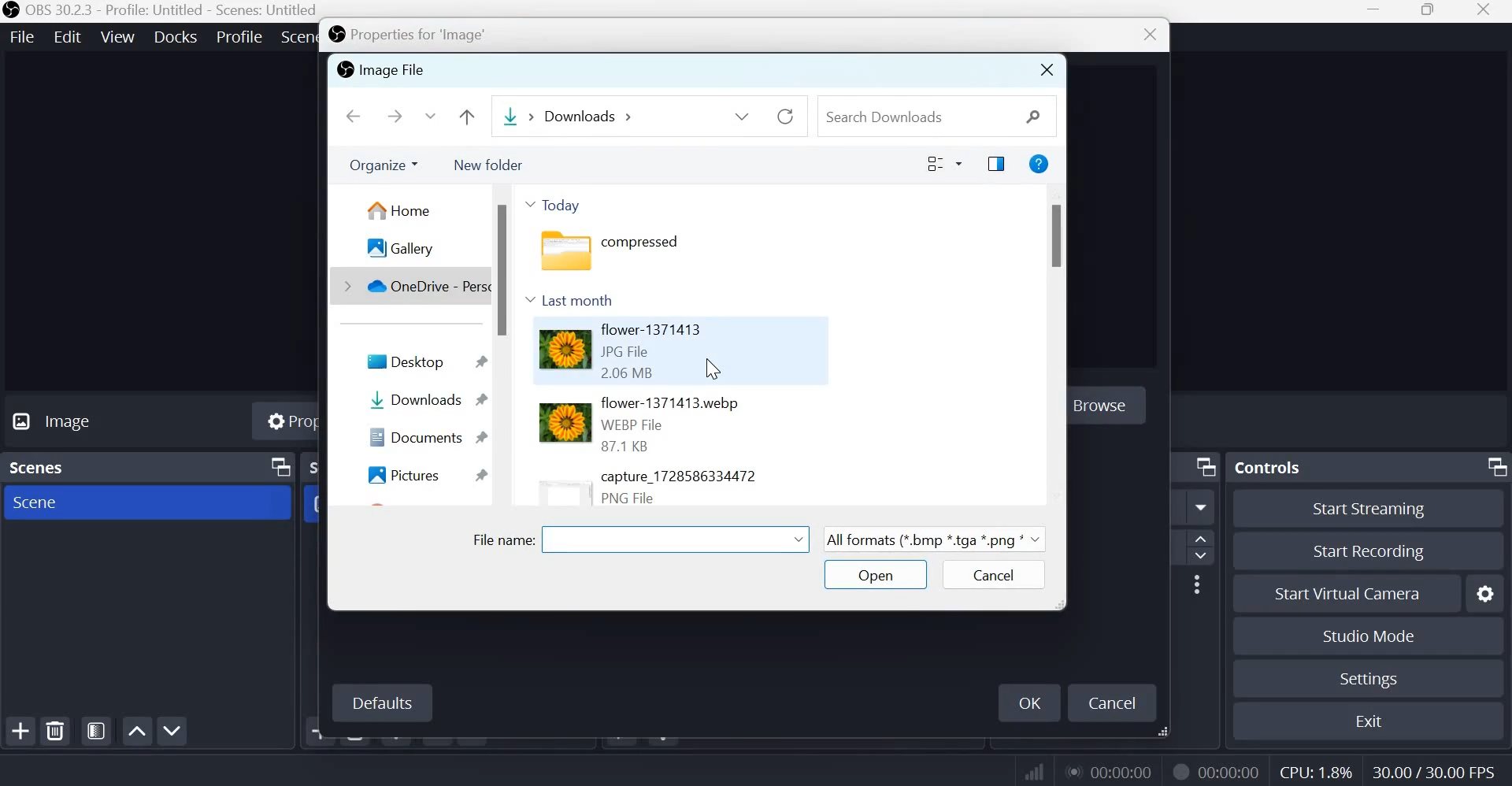 The width and height of the screenshot is (1512, 786). Describe the element at coordinates (946, 164) in the screenshot. I see `change your view` at that location.